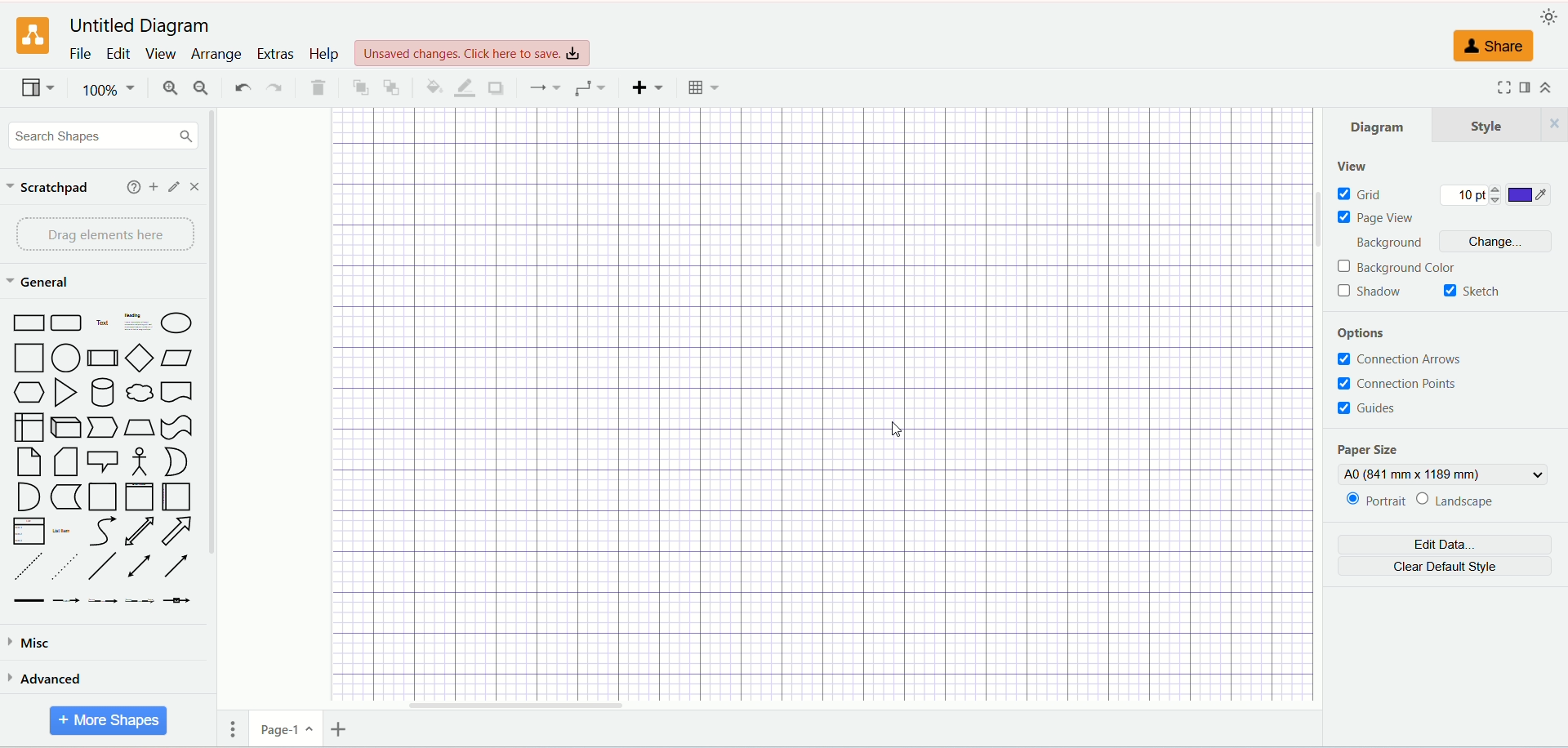  Describe the element at coordinates (103, 567) in the screenshot. I see `Line` at that location.